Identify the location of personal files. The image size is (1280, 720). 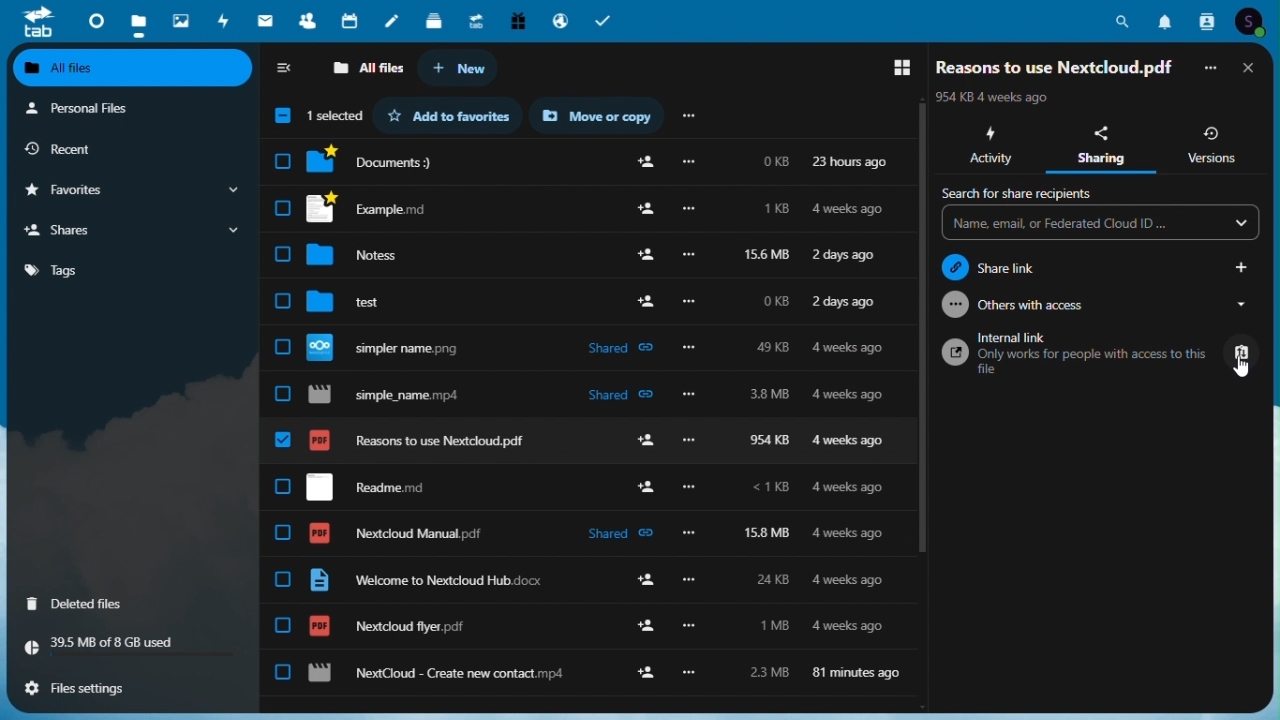
(127, 107).